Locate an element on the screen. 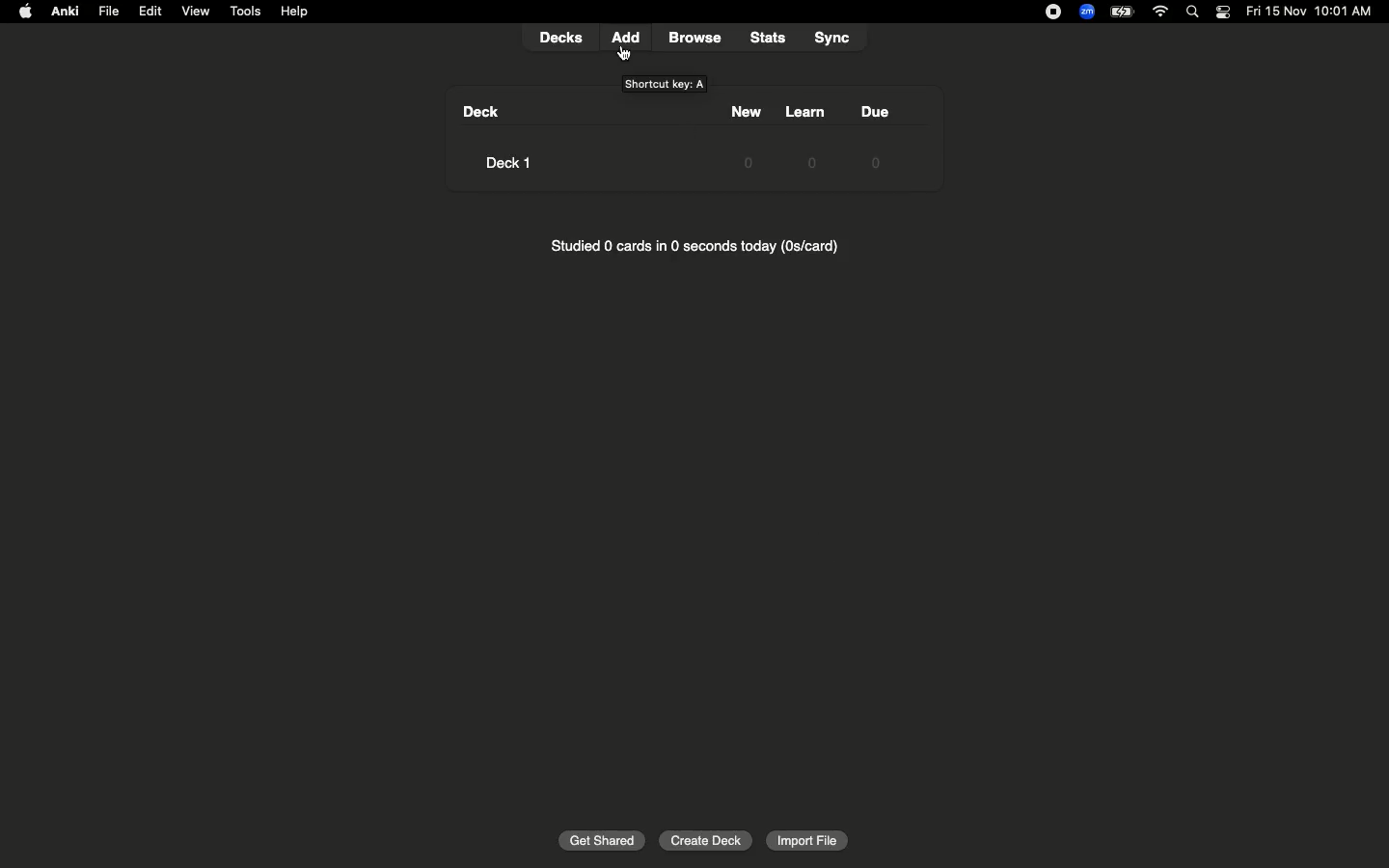 Image resolution: width=1389 pixels, height=868 pixels. Edit is located at coordinates (150, 12).